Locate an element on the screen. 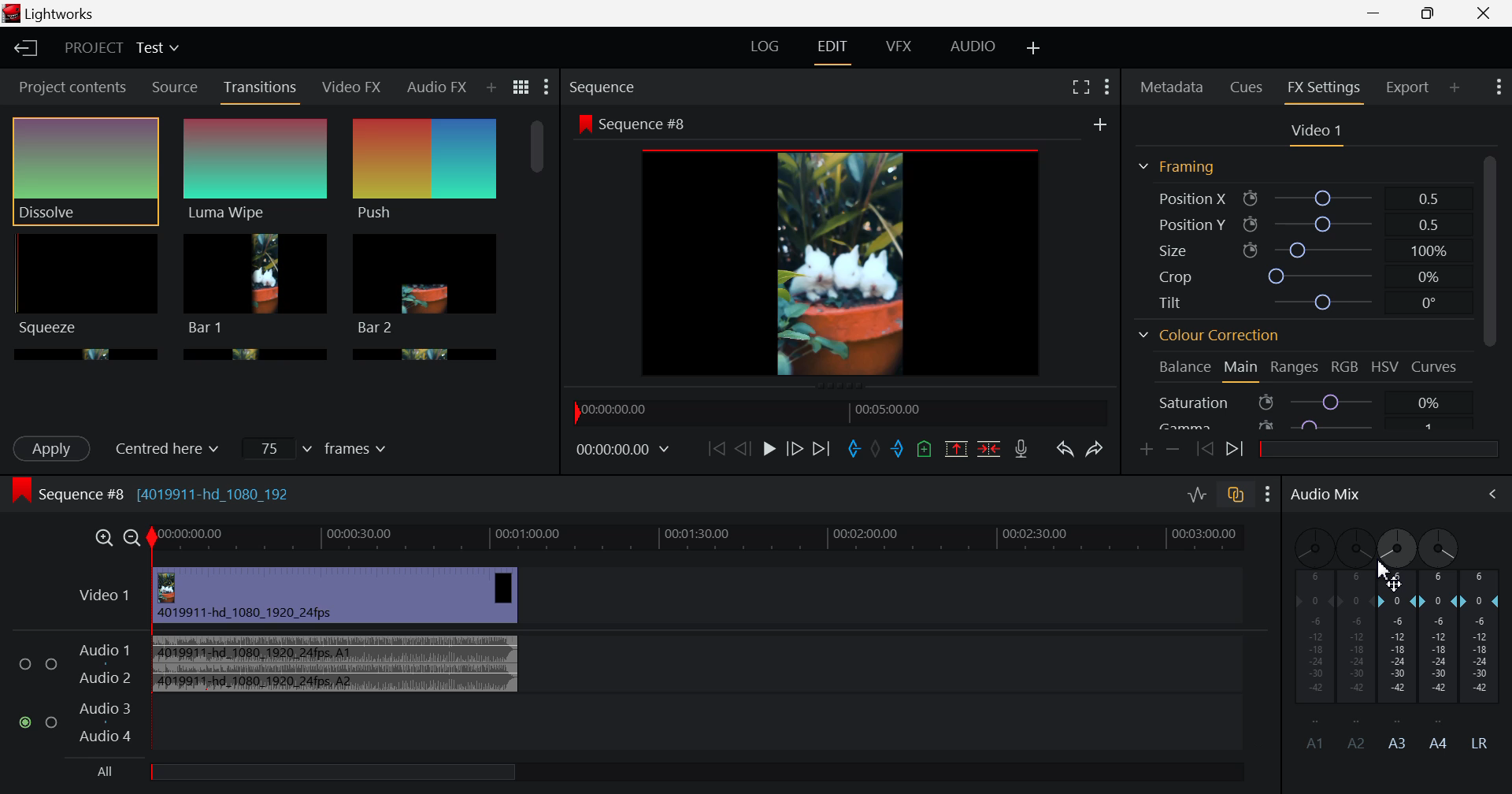  Back to Homepage is located at coordinates (23, 46).